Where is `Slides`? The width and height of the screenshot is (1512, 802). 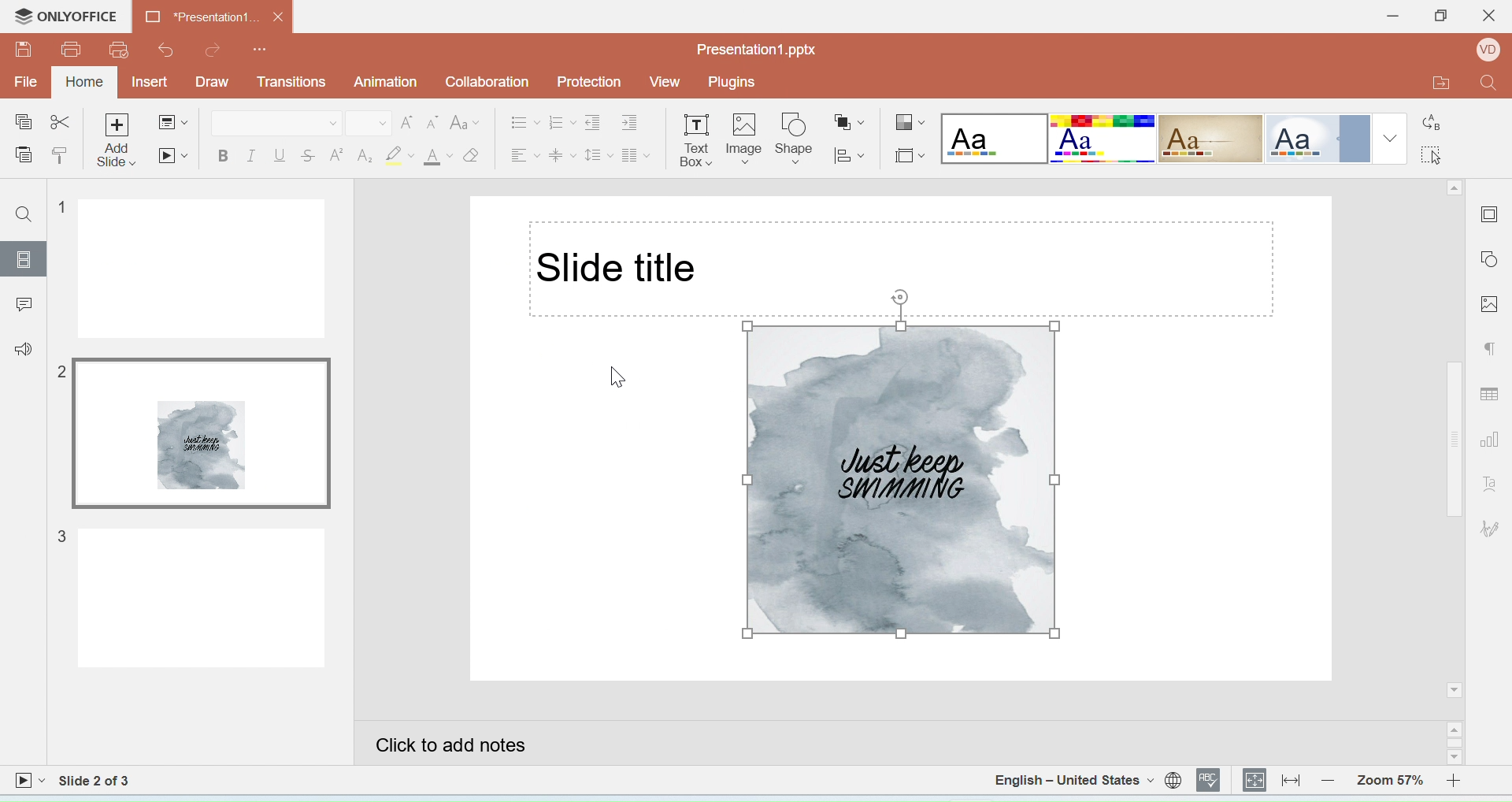 Slides is located at coordinates (23, 259).